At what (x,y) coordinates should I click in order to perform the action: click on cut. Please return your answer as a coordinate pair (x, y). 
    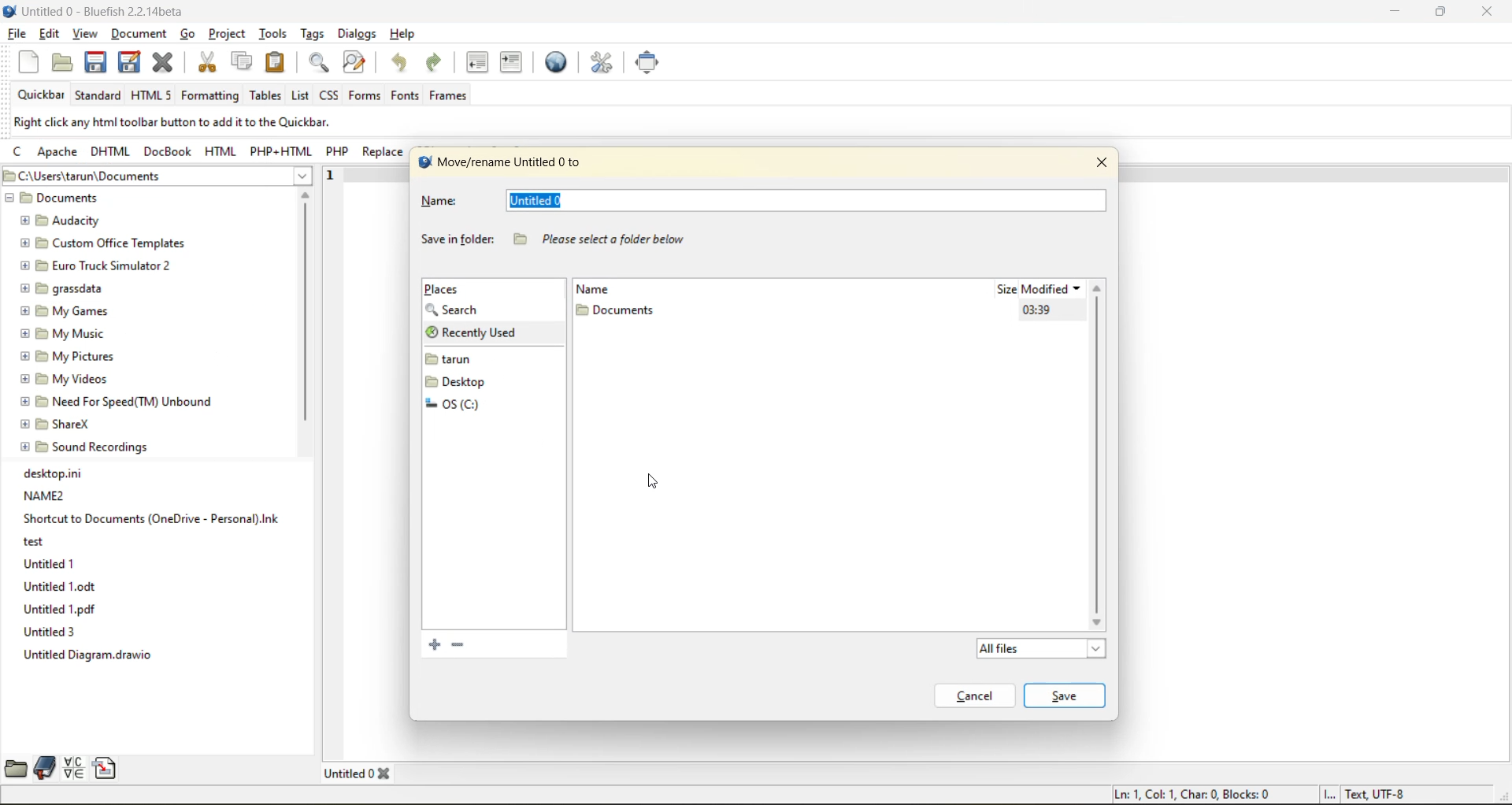
    Looking at the image, I should click on (209, 62).